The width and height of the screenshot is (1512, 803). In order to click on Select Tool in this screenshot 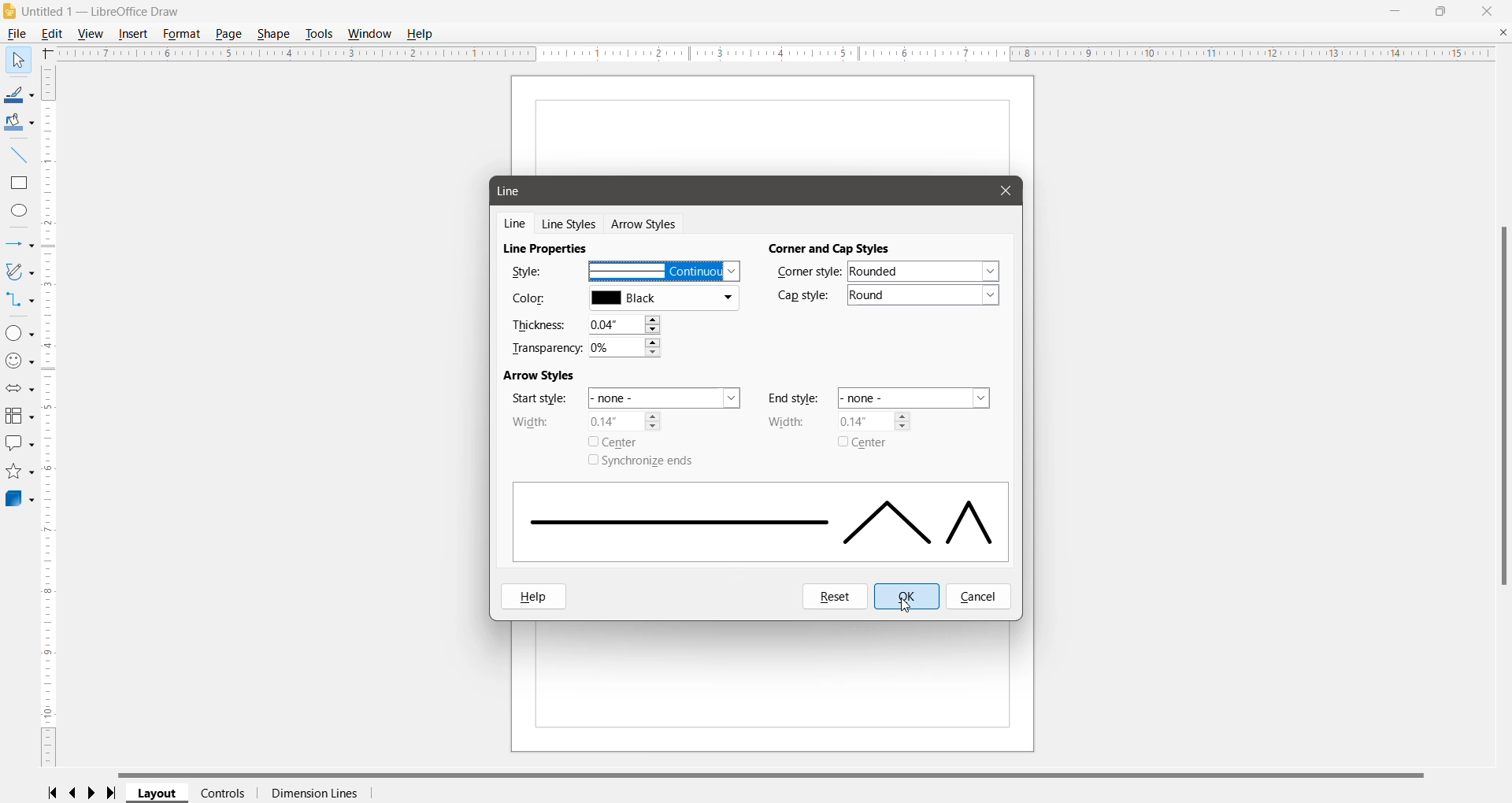, I will do `click(20, 60)`.